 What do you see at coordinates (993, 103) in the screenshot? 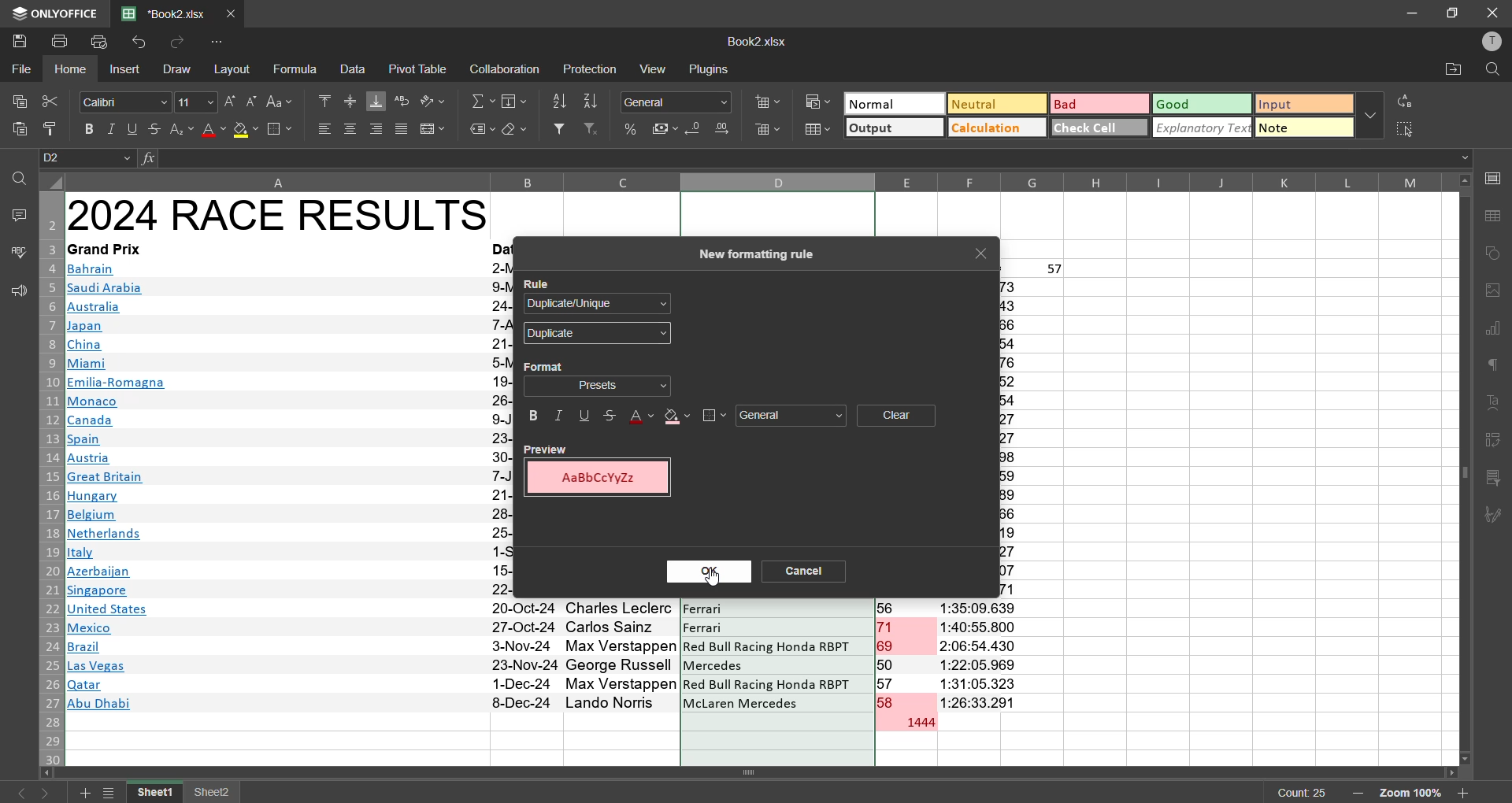
I see `neutral` at bounding box center [993, 103].